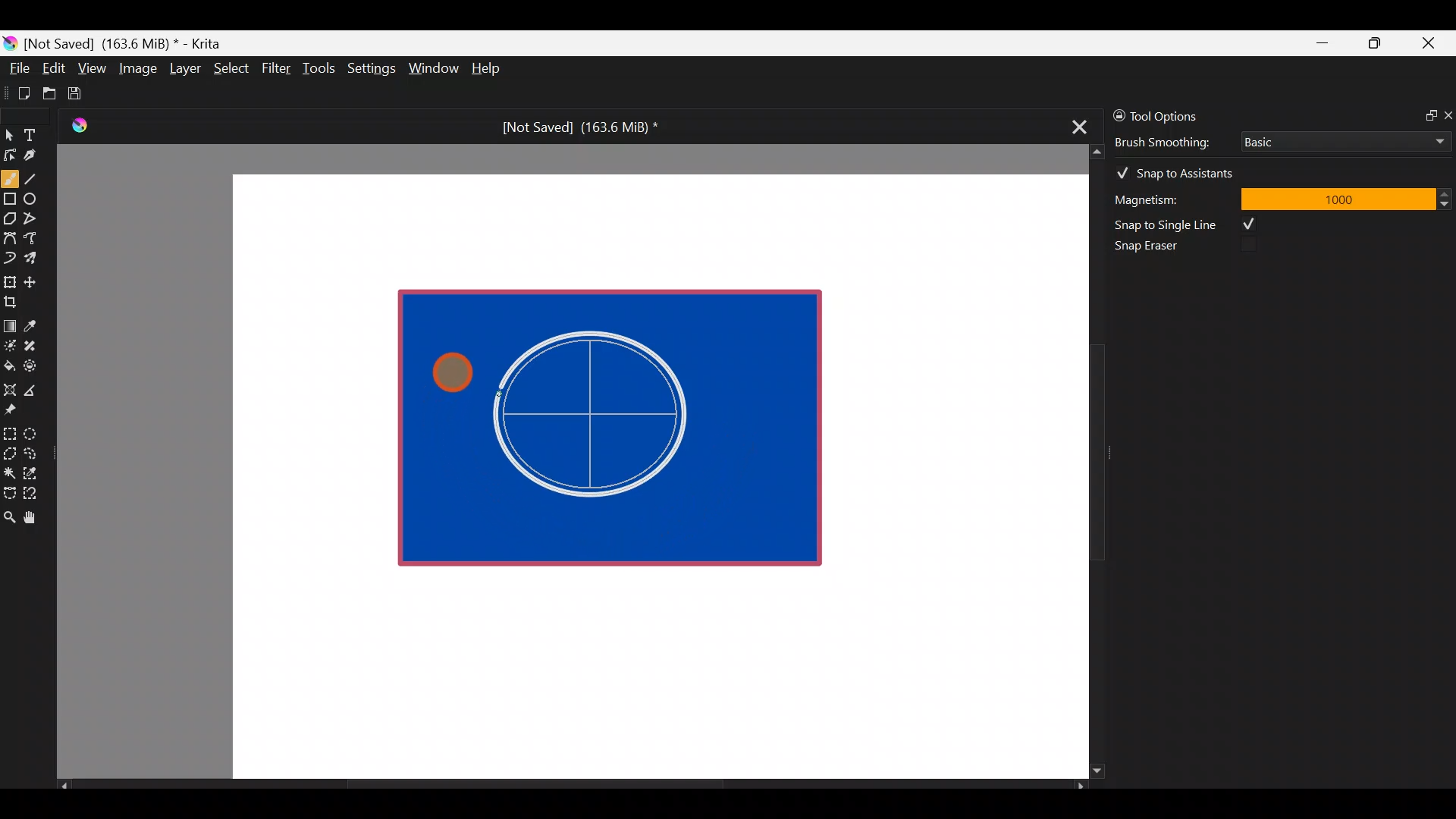 Image resolution: width=1456 pixels, height=819 pixels. Describe the element at coordinates (1429, 46) in the screenshot. I see `Close` at that location.